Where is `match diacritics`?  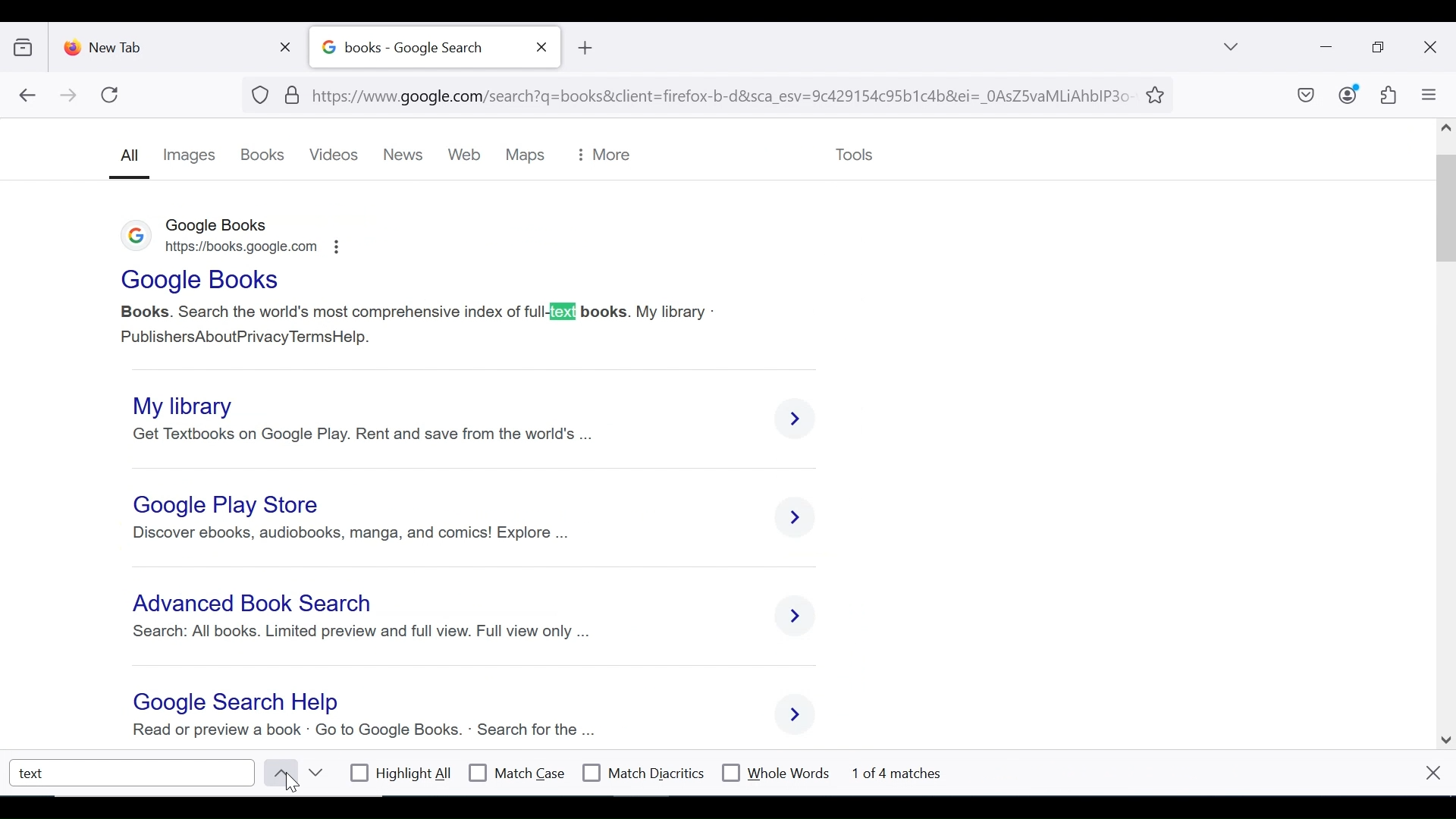 match diacritics is located at coordinates (644, 773).